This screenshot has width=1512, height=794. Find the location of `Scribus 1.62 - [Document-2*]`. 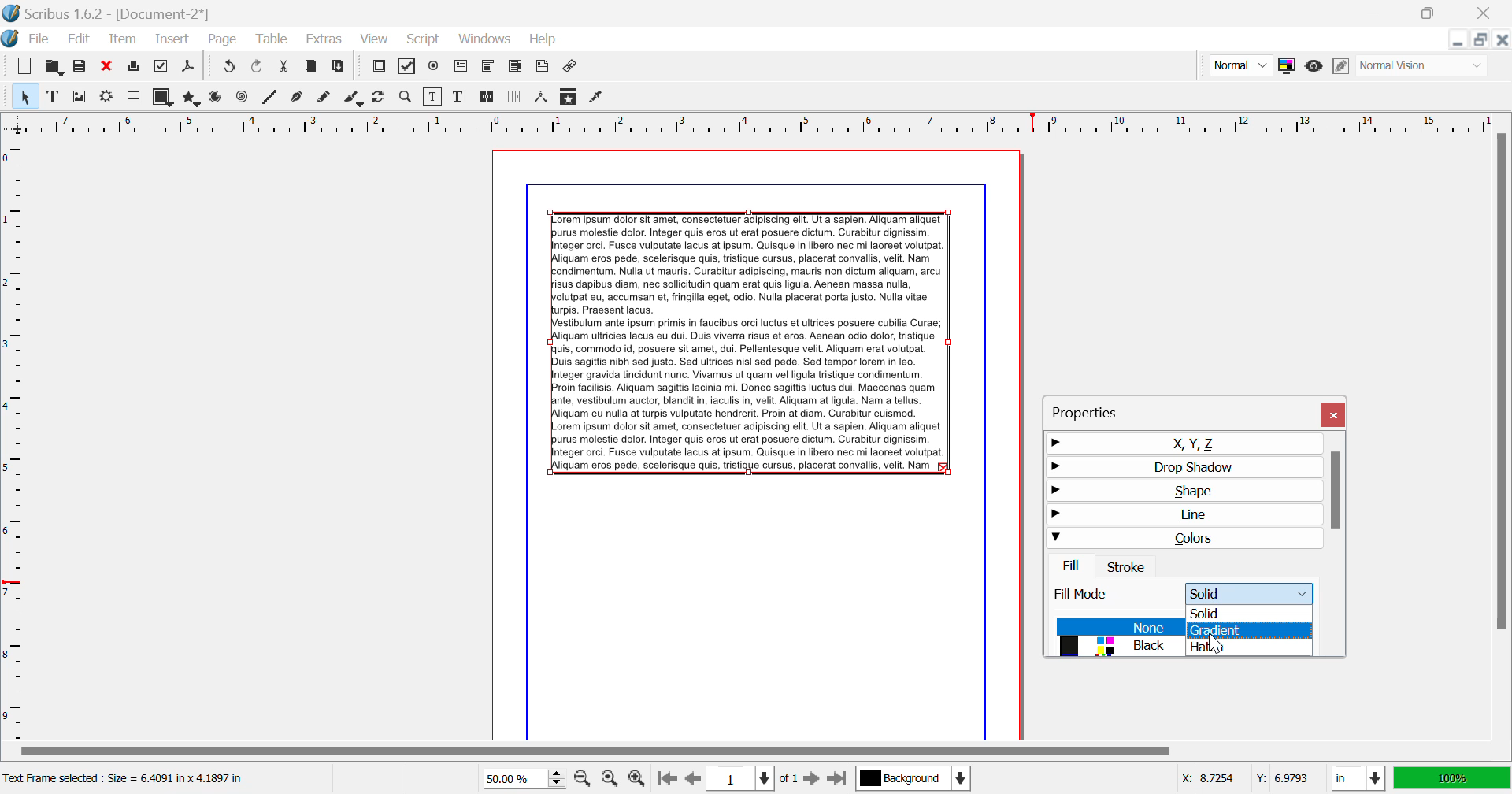

Scribus 1.62 - [Document-2*] is located at coordinates (108, 13).